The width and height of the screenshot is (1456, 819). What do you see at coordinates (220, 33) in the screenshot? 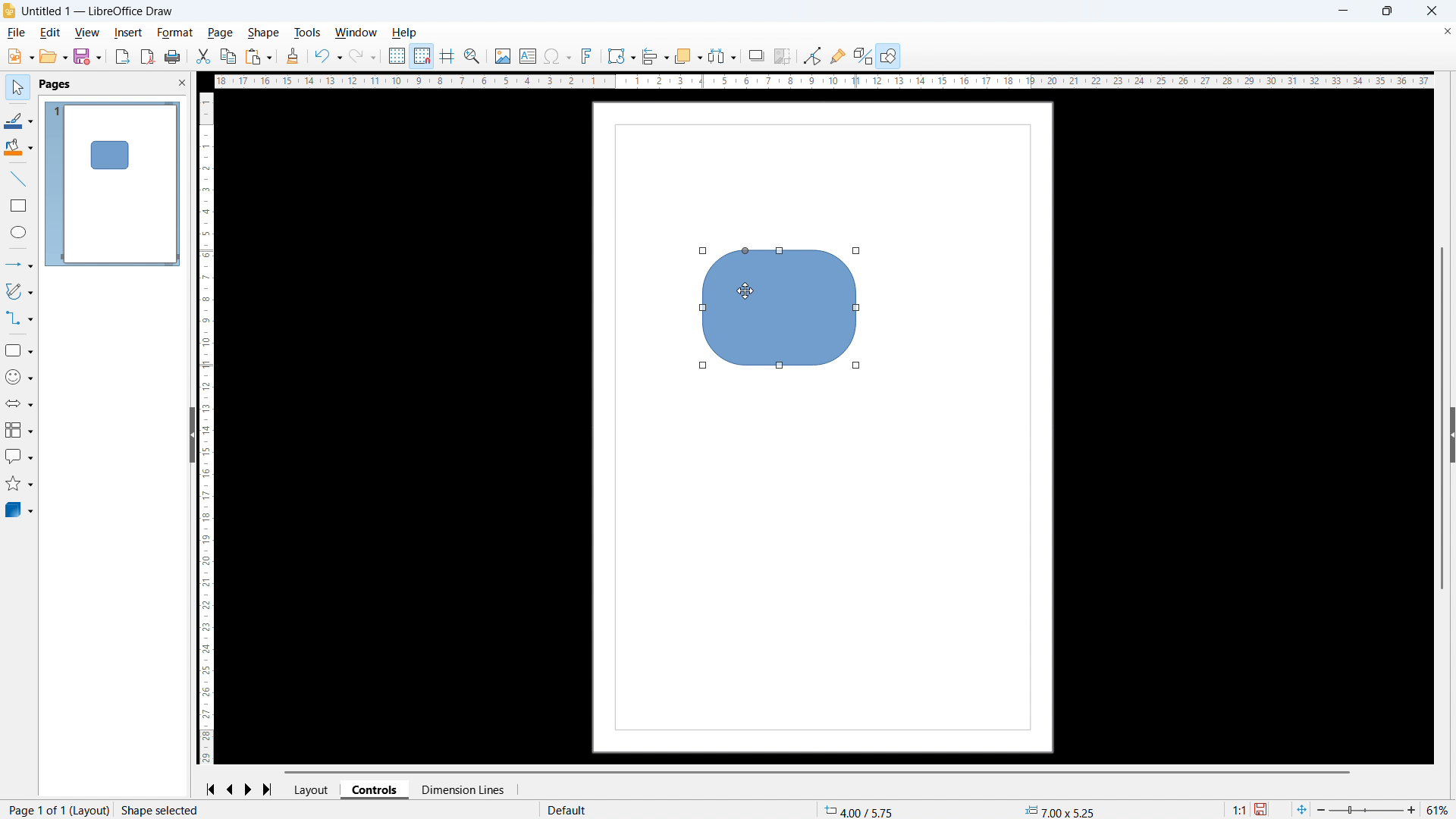
I see `Page ` at bounding box center [220, 33].